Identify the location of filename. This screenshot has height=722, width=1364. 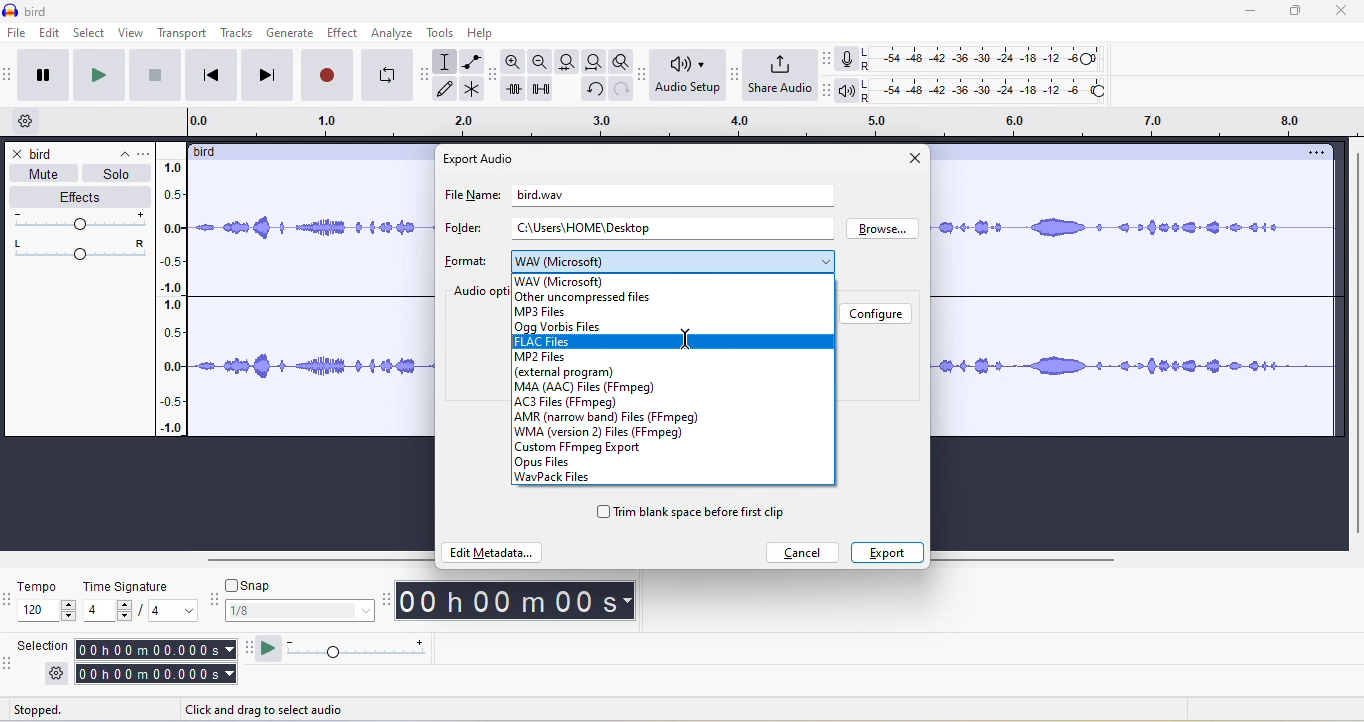
(538, 193).